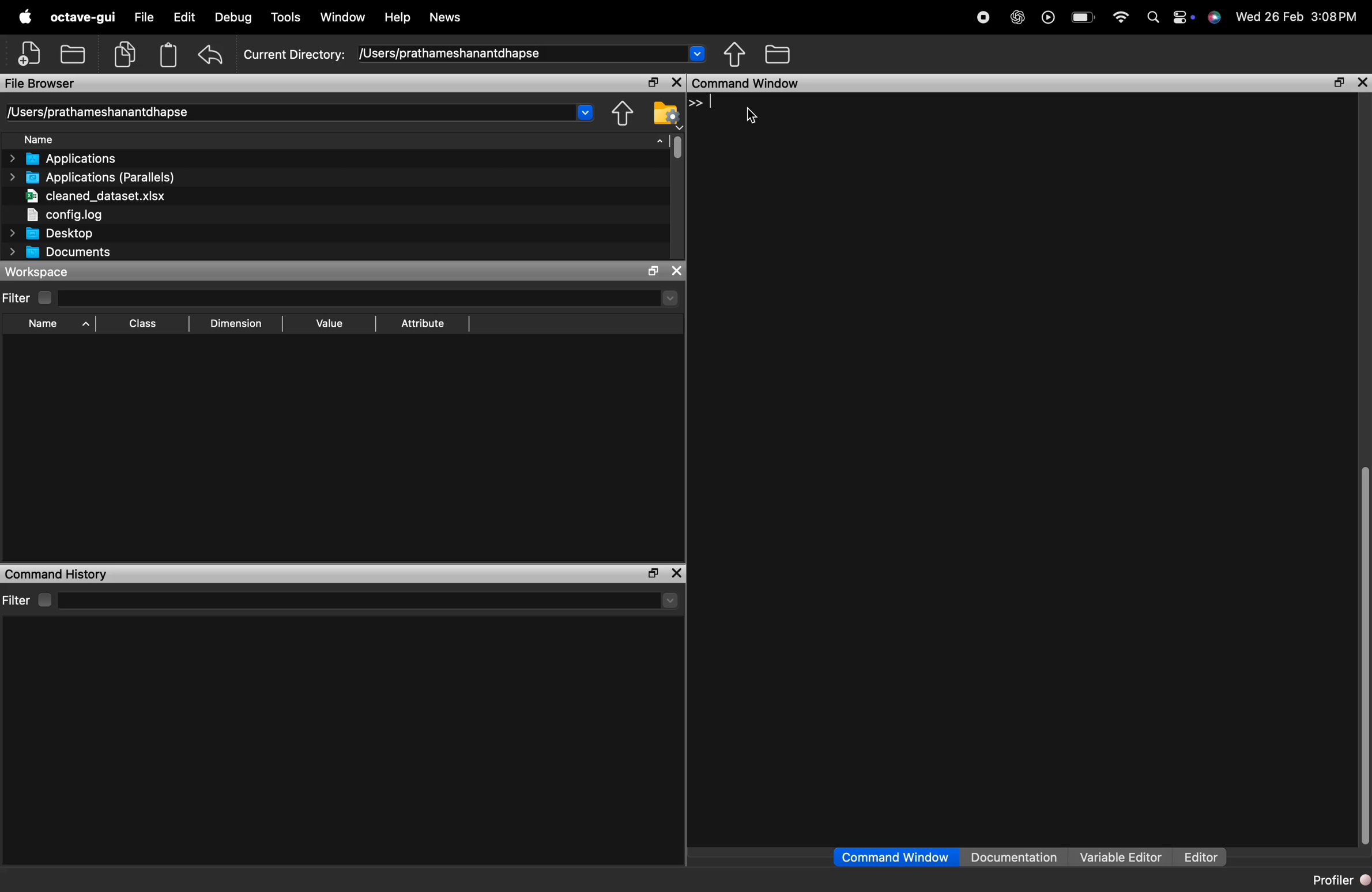  I want to click on Editor, so click(1204, 856).